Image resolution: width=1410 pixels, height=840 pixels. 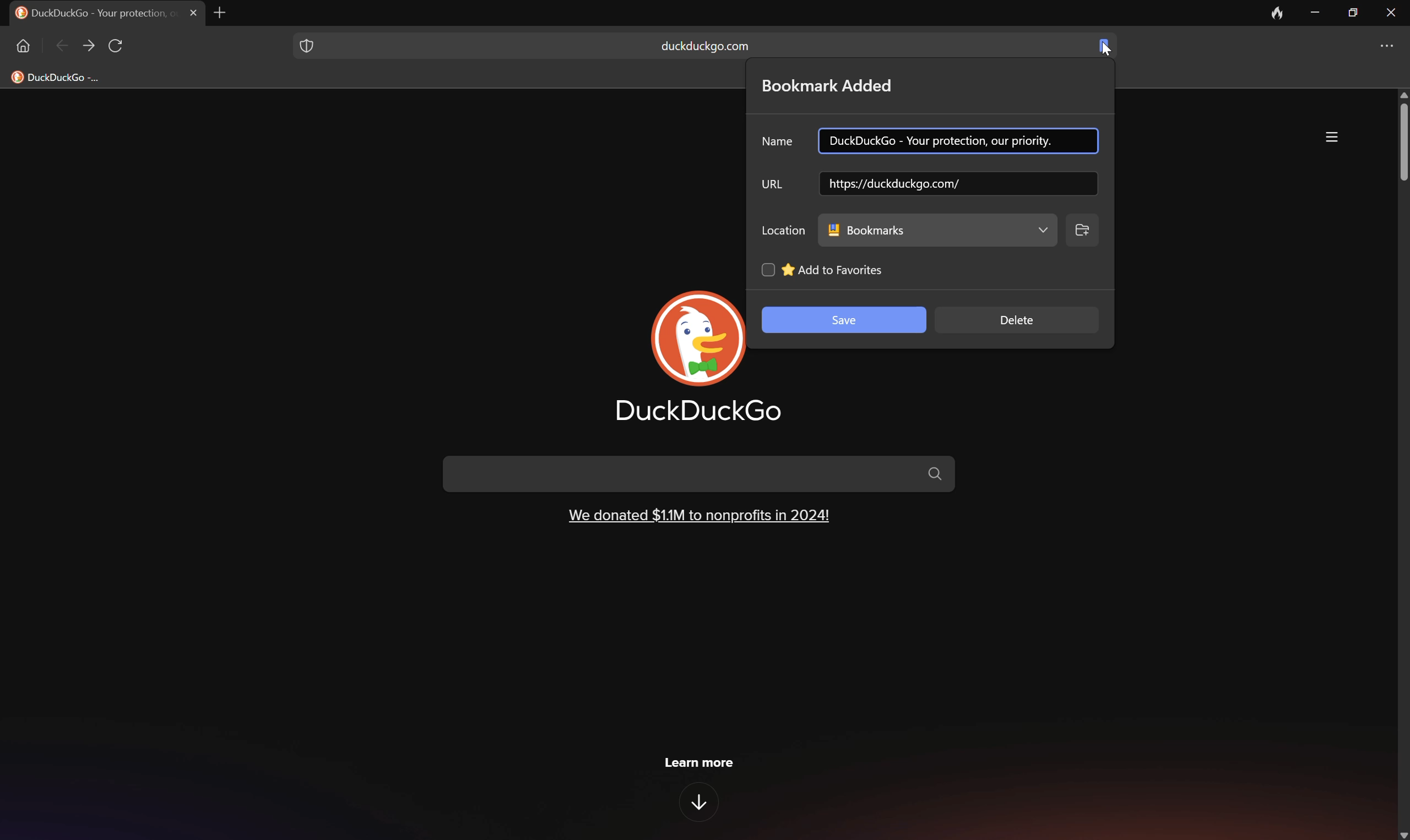 What do you see at coordinates (702, 803) in the screenshot?
I see `Go down` at bounding box center [702, 803].